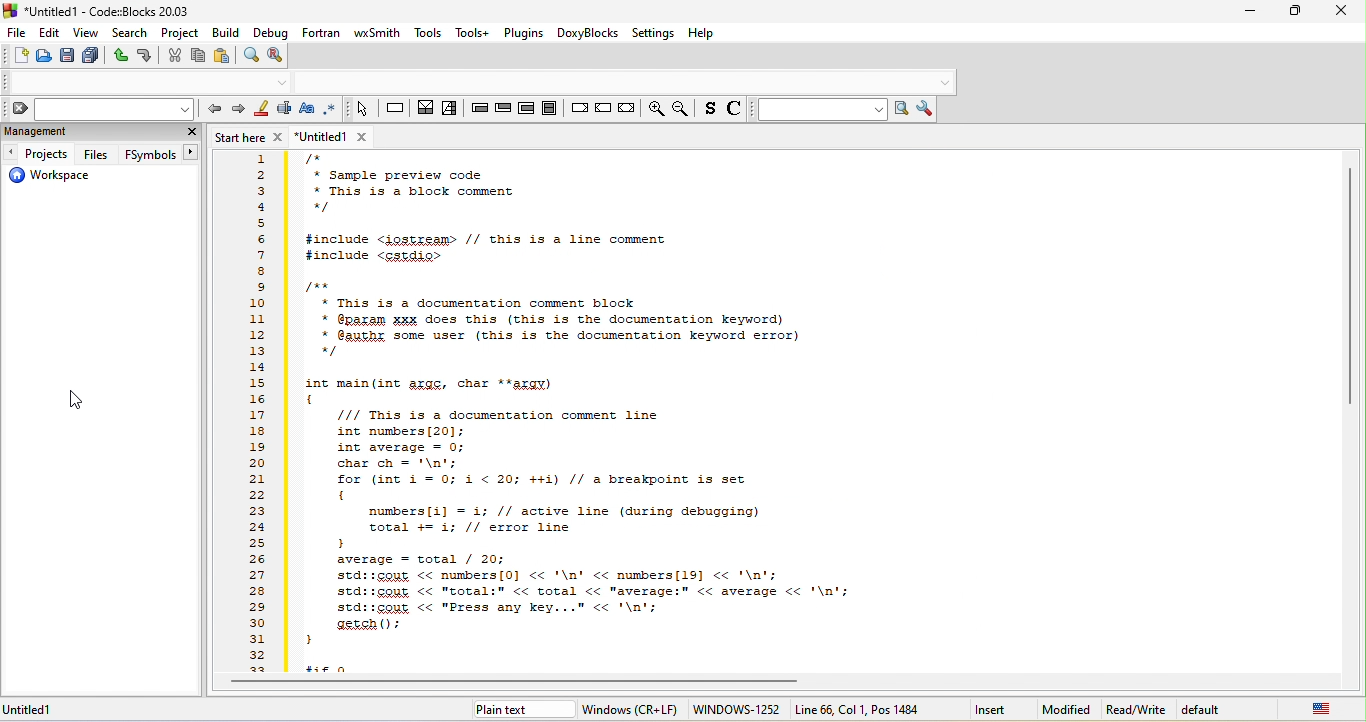 The image size is (1366, 722). I want to click on search, so click(130, 32).